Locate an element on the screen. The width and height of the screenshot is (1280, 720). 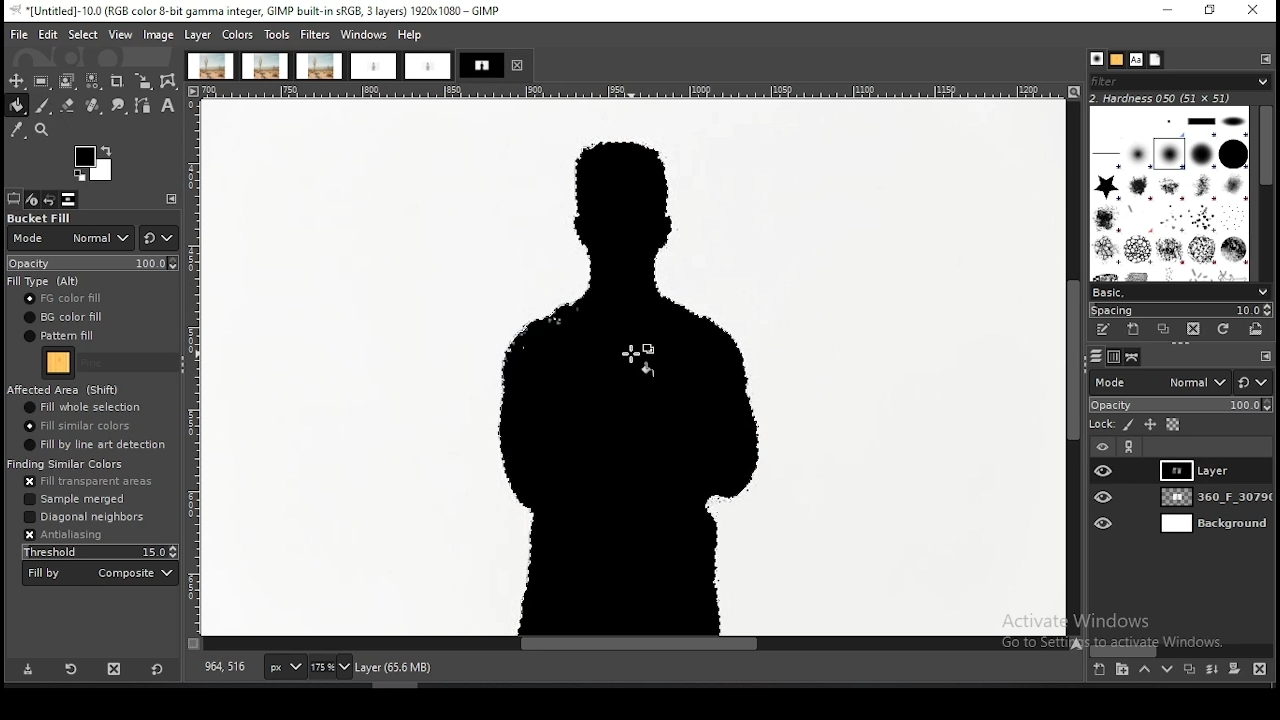
spacing is located at coordinates (1178, 311).